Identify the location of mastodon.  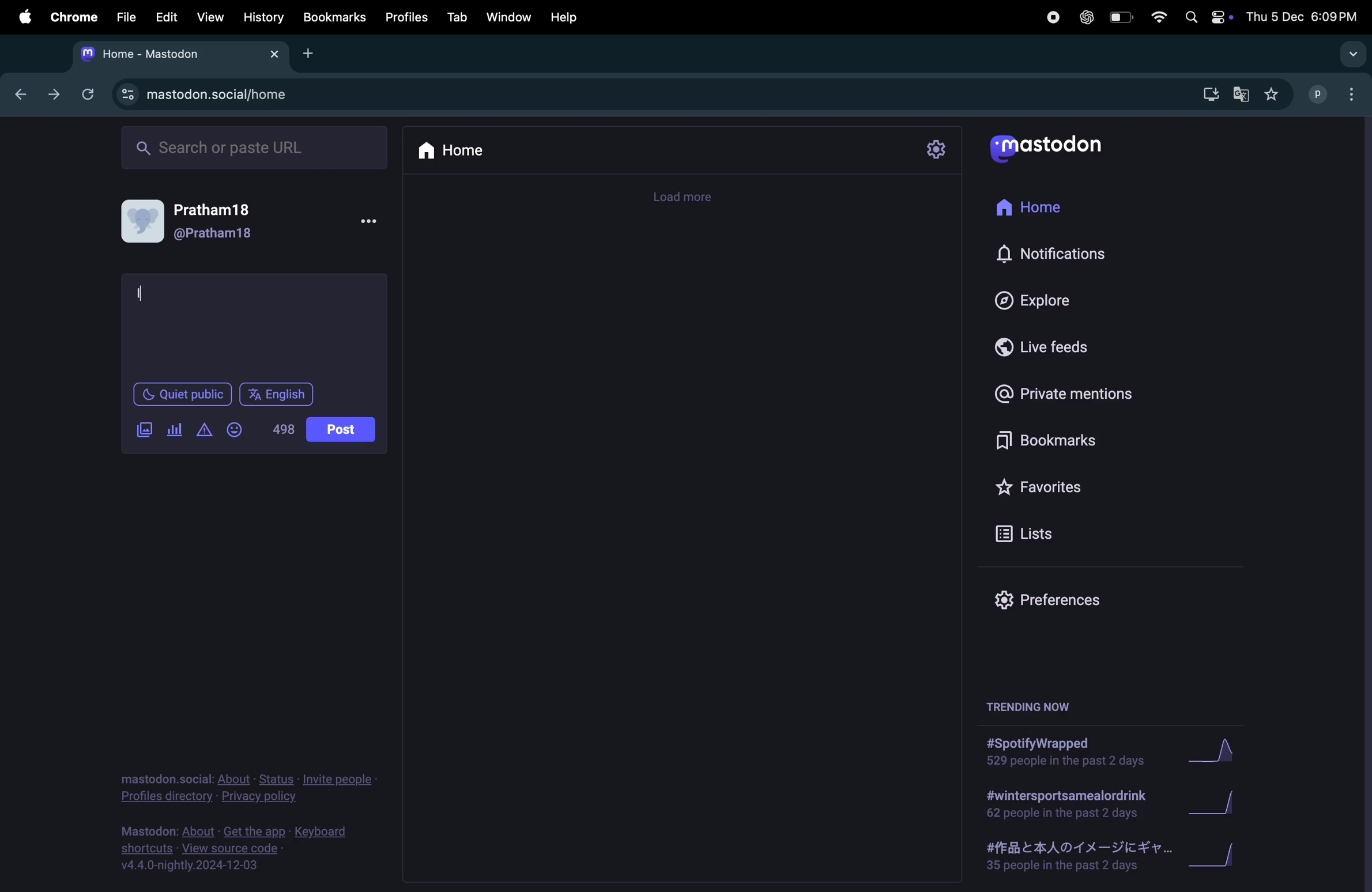
(1056, 147).